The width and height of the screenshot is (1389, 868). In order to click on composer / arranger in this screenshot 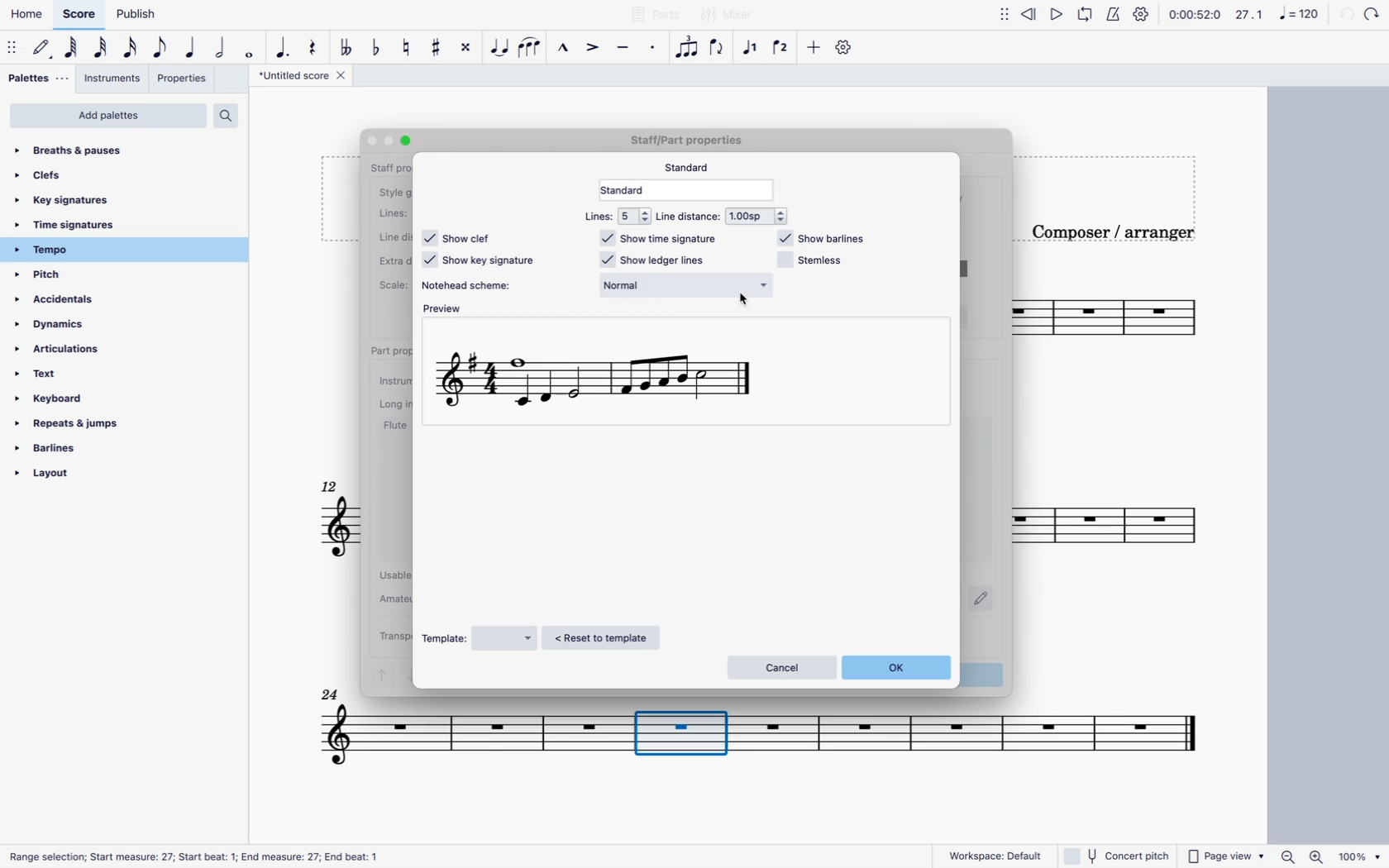, I will do `click(1119, 230)`.